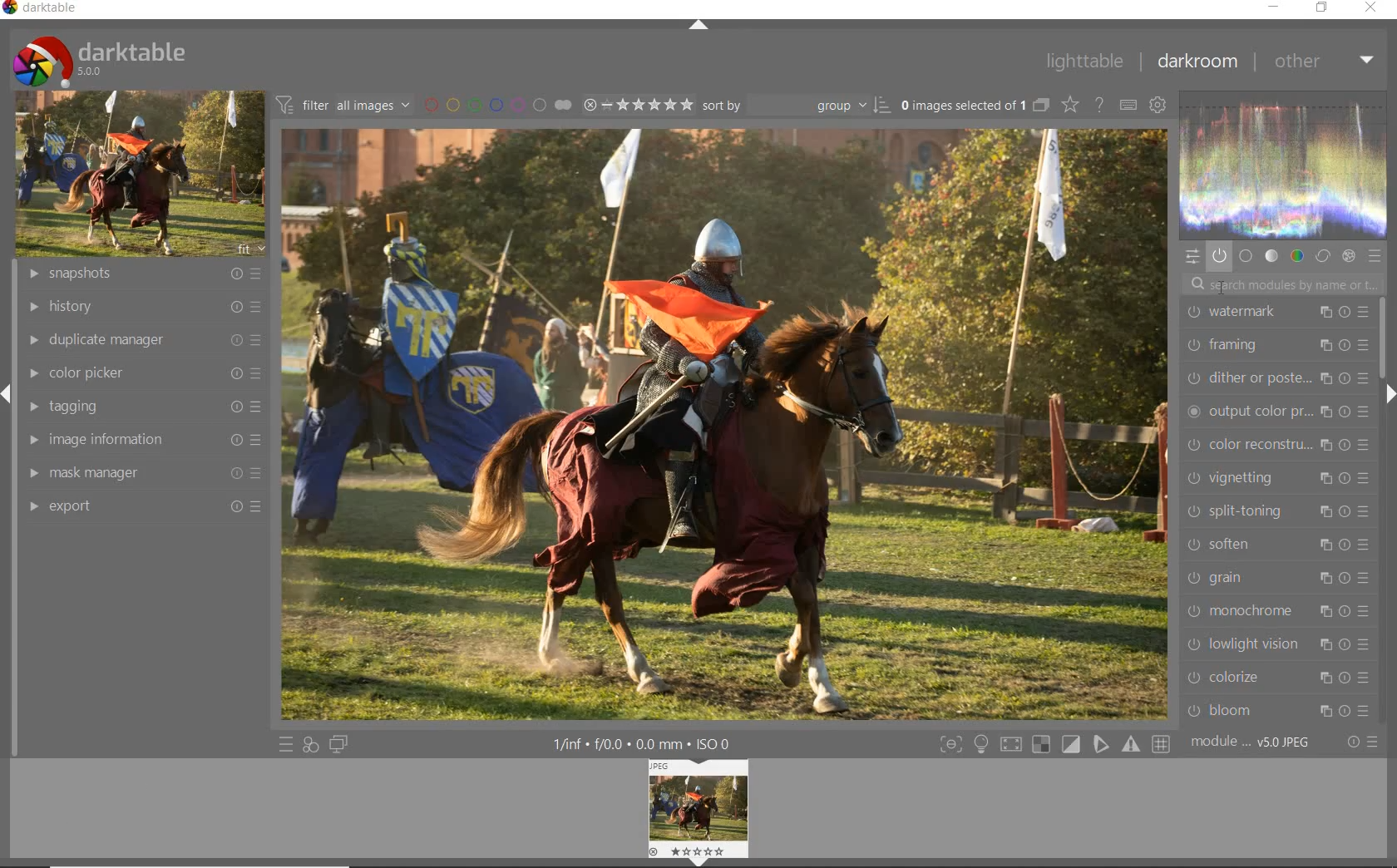 Image resolution: width=1397 pixels, height=868 pixels. What do you see at coordinates (142, 308) in the screenshot?
I see `history` at bounding box center [142, 308].